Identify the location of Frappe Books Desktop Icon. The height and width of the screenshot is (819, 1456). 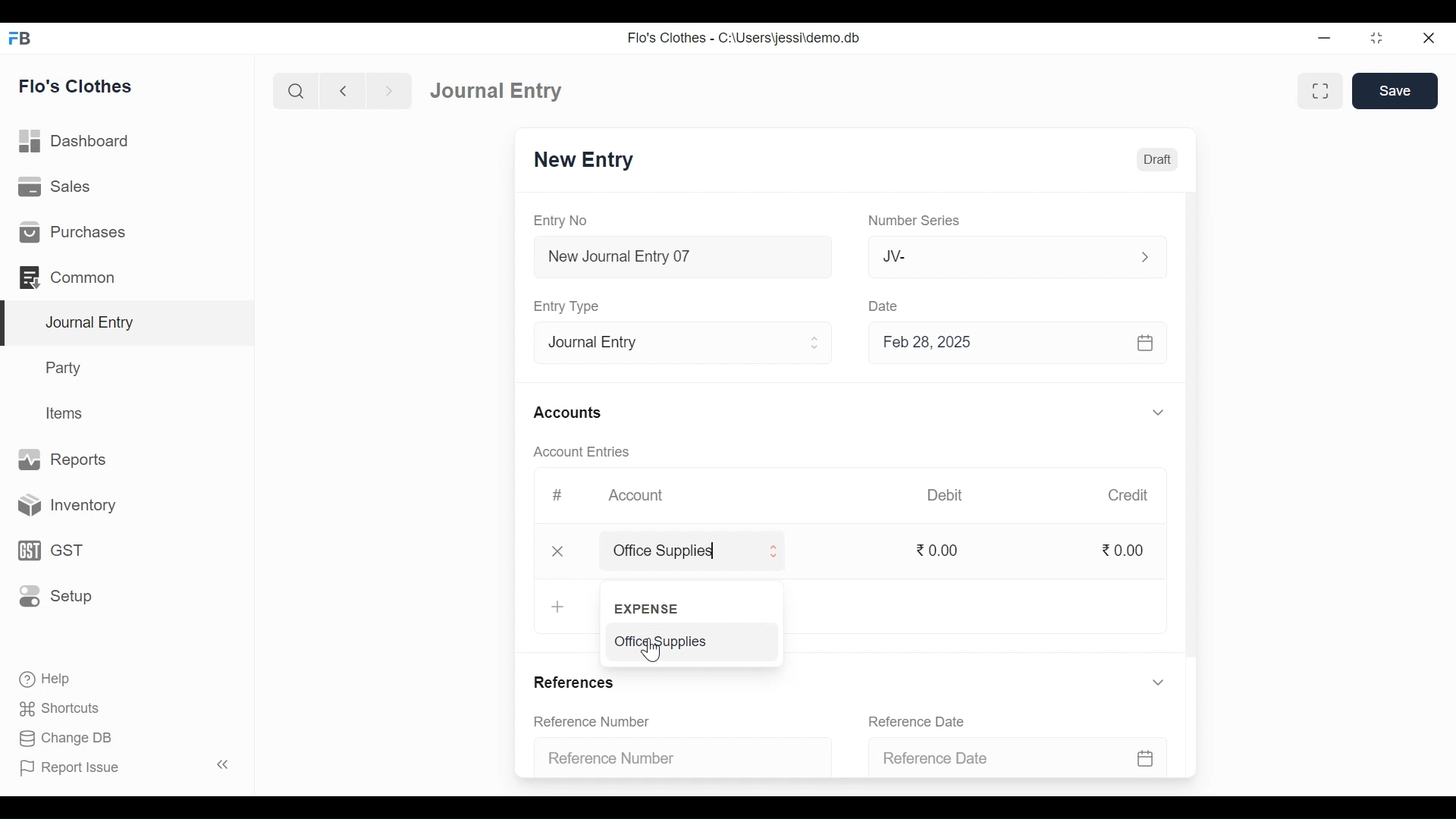
(20, 39).